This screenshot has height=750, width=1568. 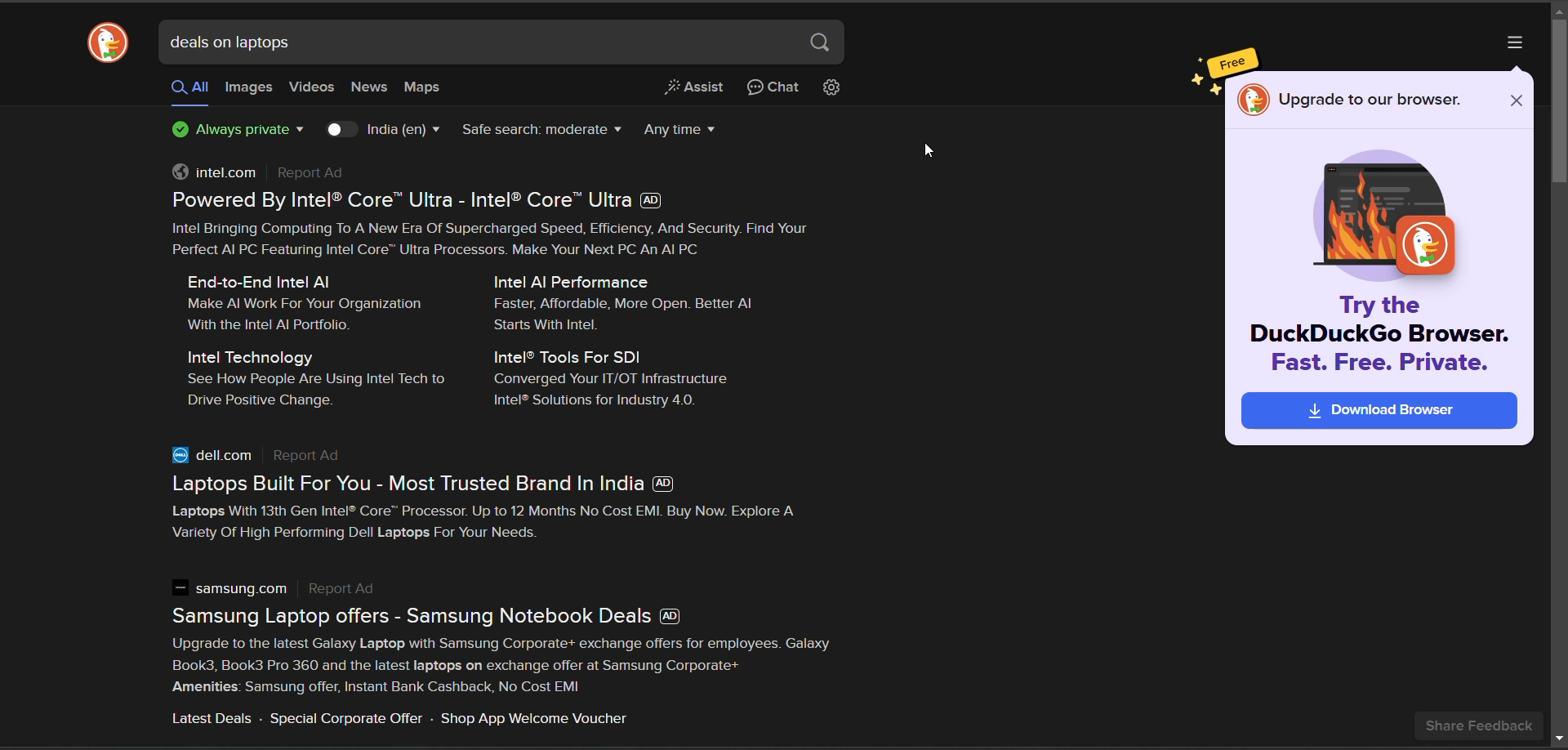 I want to click on Intel® Tools For SDI
Converged Your IT/OT Infrastructure
Intel® Solutions for Industry 4.0., so click(x=617, y=380).